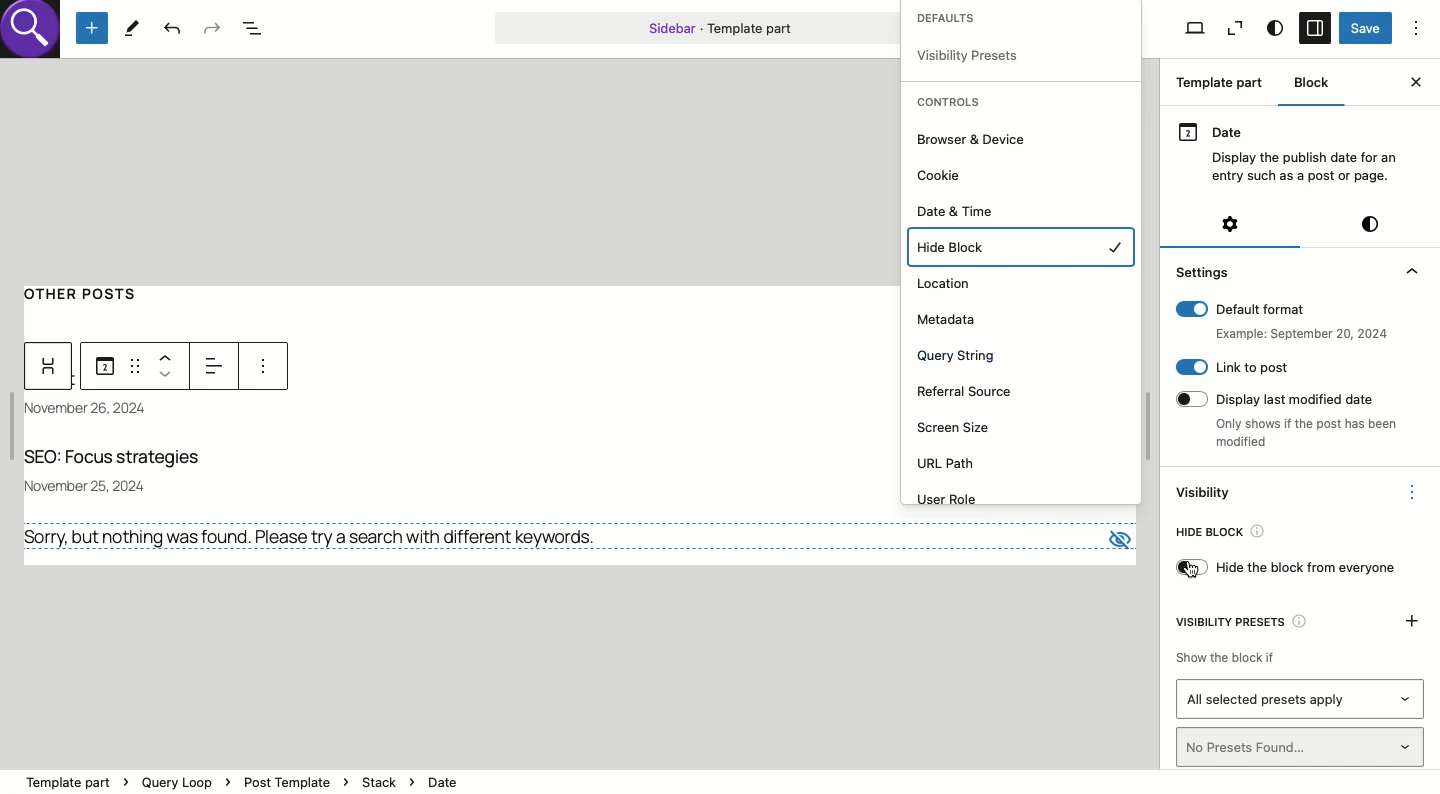 Image resolution: width=1440 pixels, height=794 pixels. What do you see at coordinates (1274, 29) in the screenshot?
I see `Style` at bounding box center [1274, 29].